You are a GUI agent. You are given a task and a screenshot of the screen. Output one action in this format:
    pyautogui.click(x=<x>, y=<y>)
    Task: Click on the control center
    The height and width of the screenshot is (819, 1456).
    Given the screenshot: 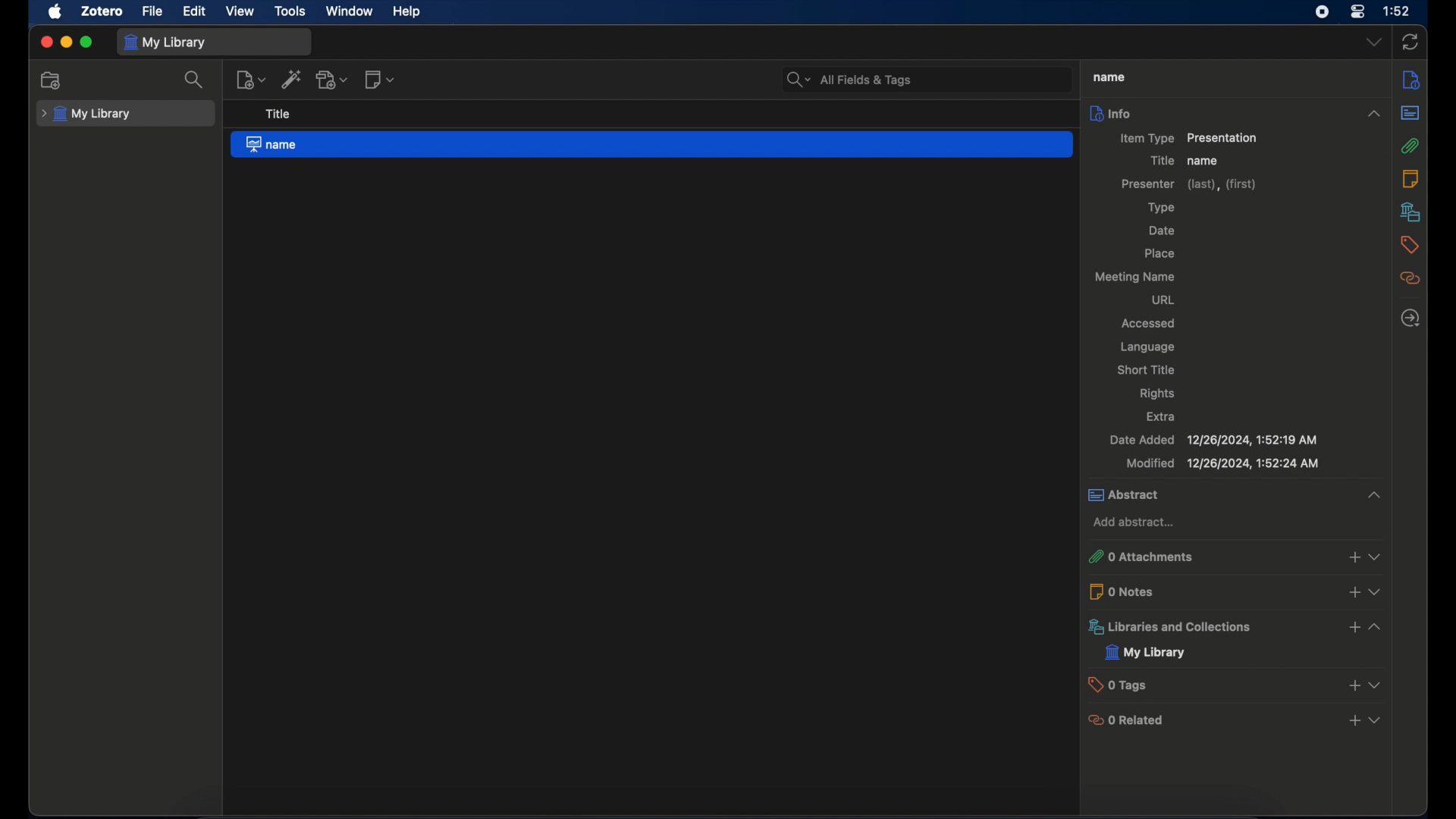 What is the action you would take?
    pyautogui.click(x=1357, y=12)
    